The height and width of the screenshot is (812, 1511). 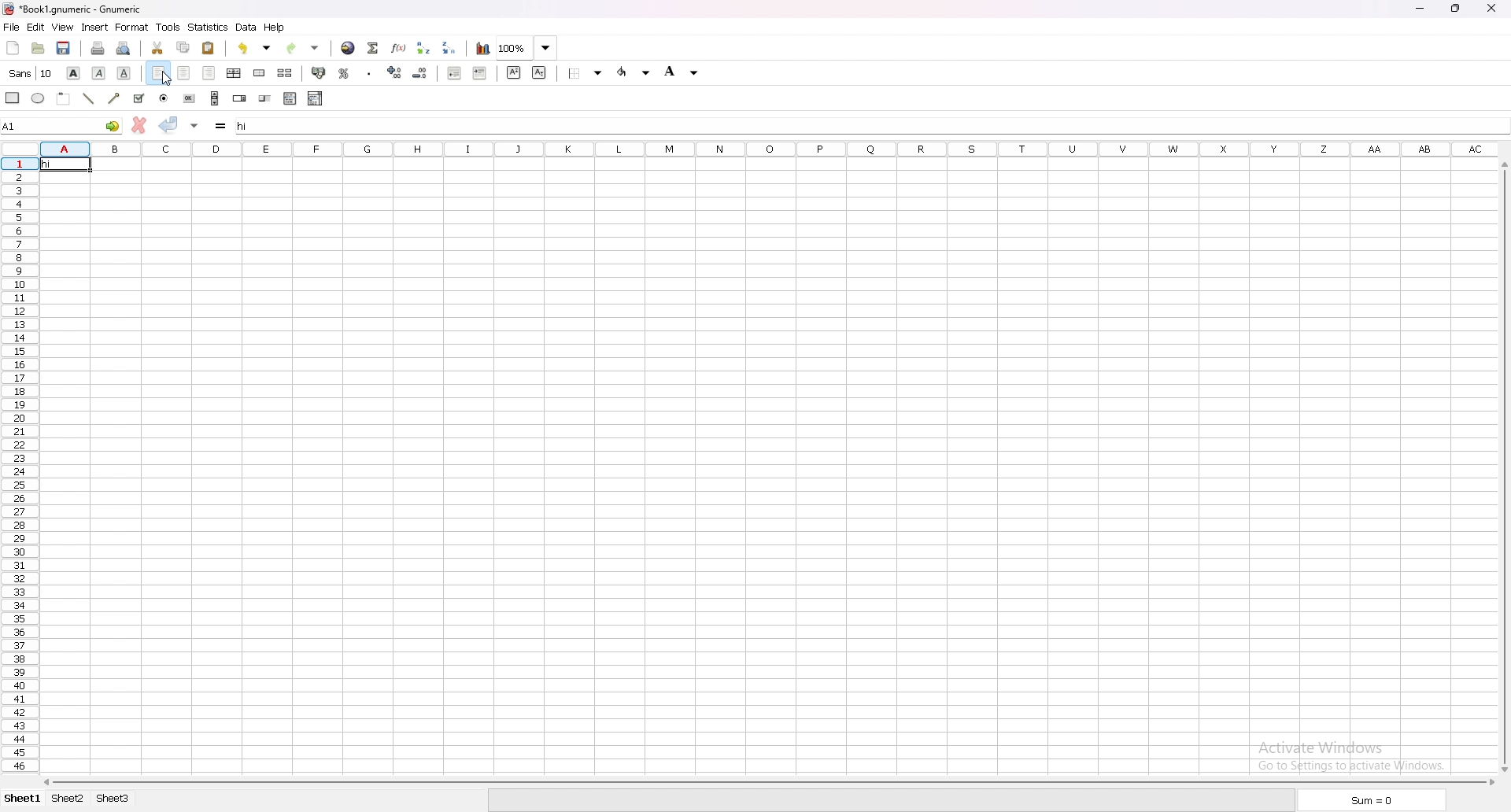 I want to click on copy, so click(x=183, y=48).